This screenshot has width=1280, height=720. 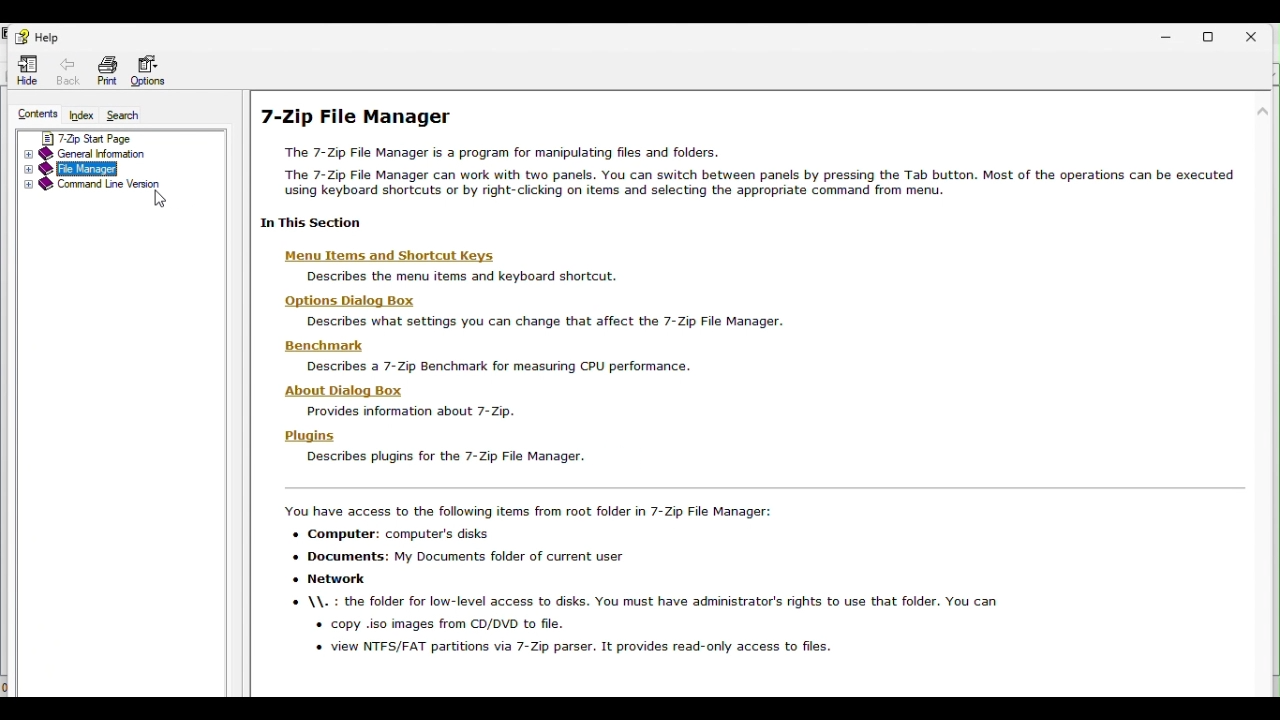 What do you see at coordinates (1267, 295) in the screenshot?
I see `scroll bar` at bounding box center [1267, 295].